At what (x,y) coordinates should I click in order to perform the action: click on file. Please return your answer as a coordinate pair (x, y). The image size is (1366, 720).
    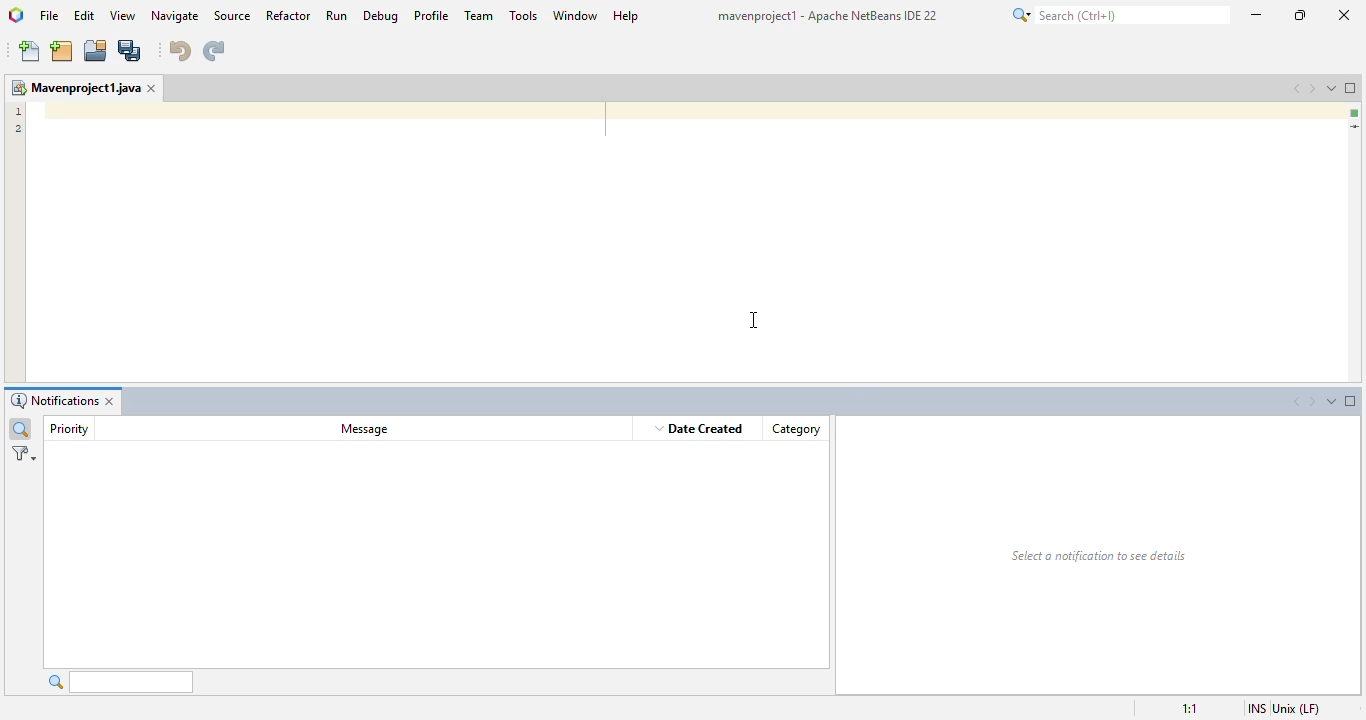
    Looking at the image, I should click on (49, 16).